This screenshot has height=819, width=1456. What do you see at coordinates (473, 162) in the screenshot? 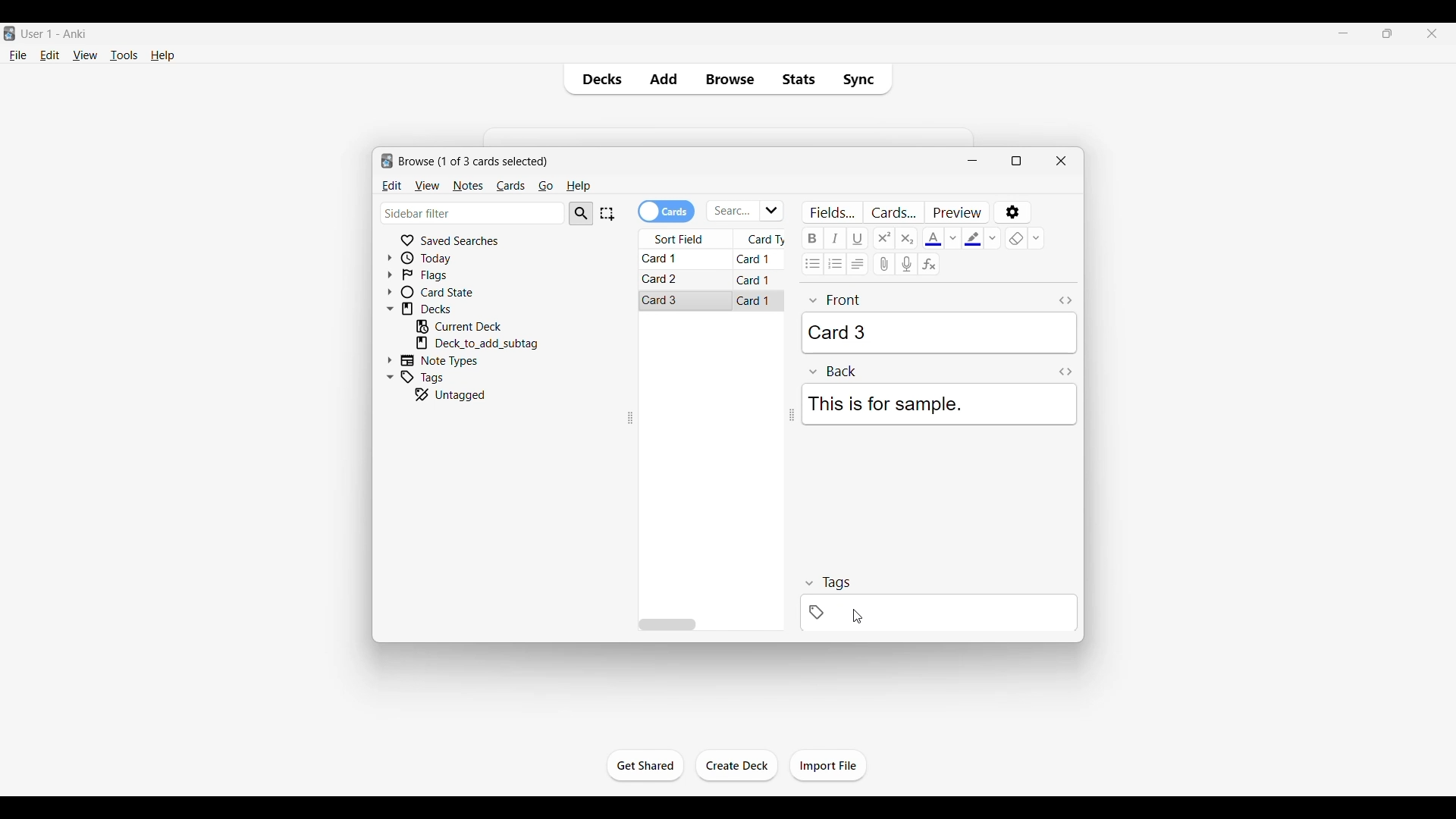
I see `Number of cards to browse and window name` at bounding box center [473, 162].